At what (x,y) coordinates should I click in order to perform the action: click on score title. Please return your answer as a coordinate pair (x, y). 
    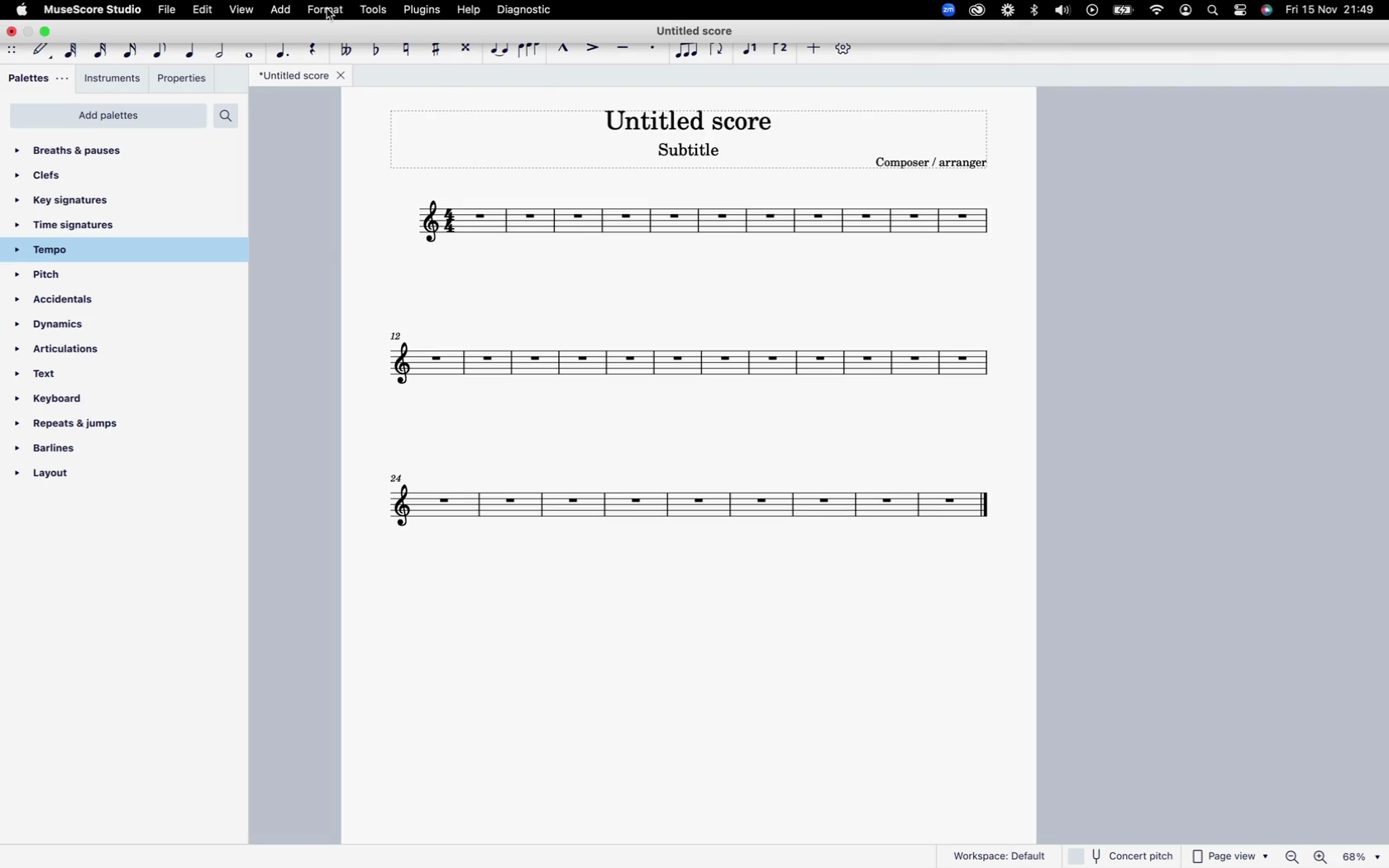
    Looking at the image, I should click on (690, 120).